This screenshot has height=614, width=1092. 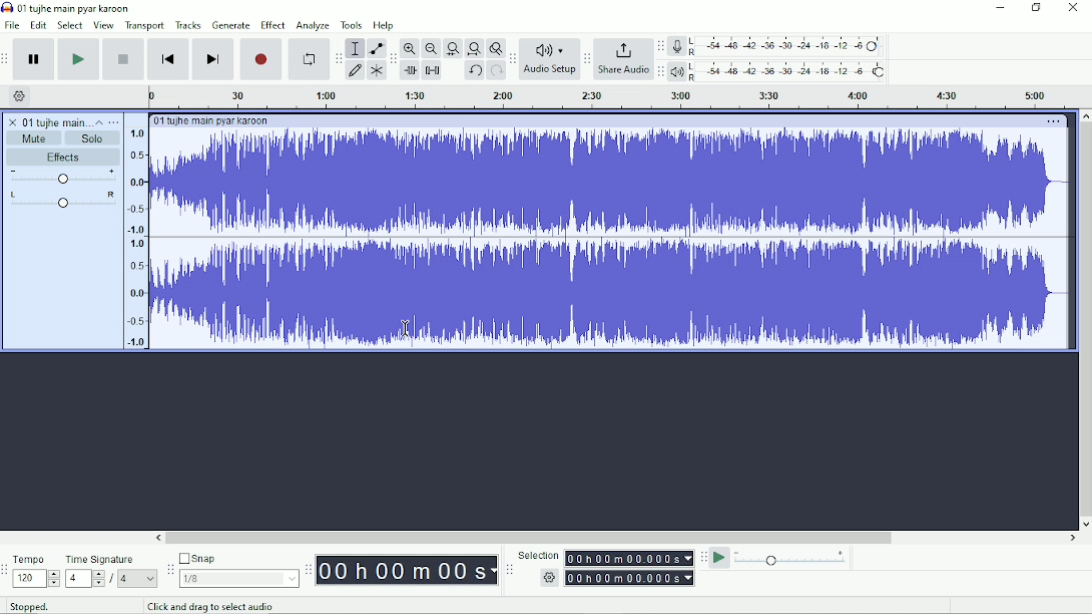 I want to click on Timeline options, so click(x=20, y=95).